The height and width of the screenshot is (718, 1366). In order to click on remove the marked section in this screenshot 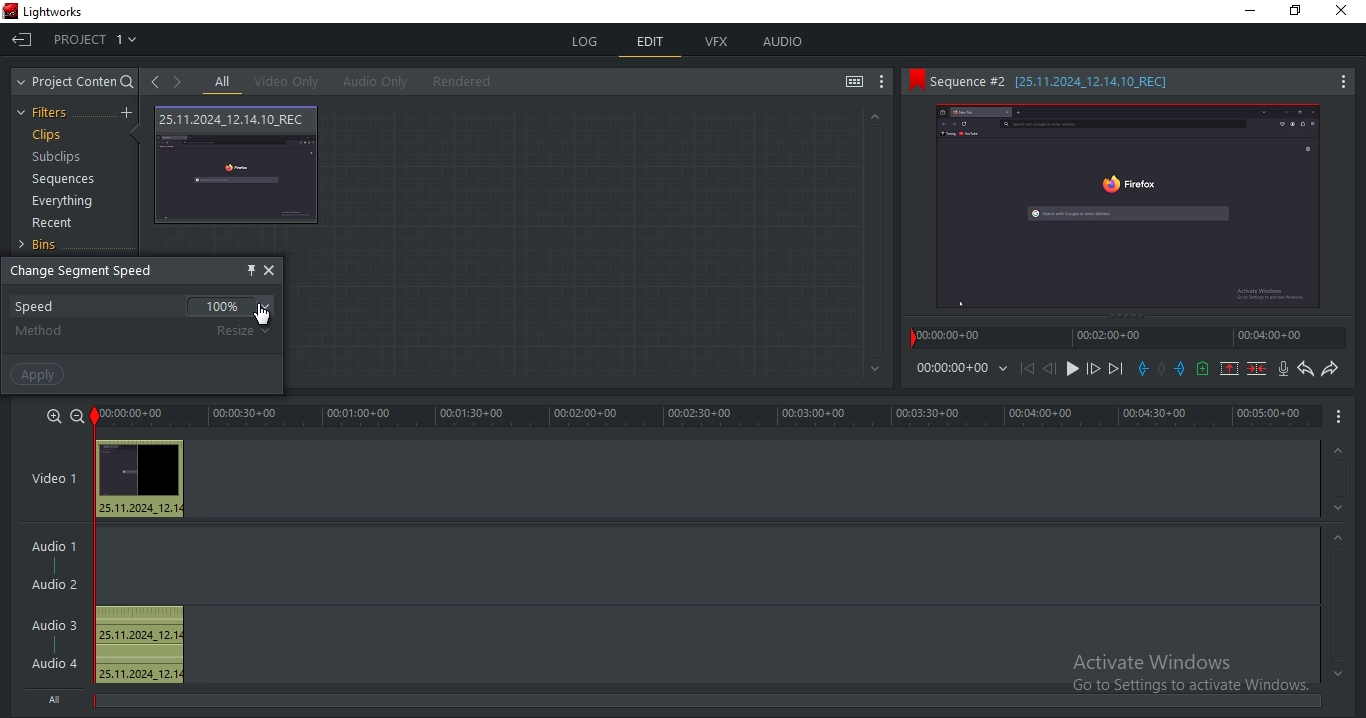, I will do `click(1230, 369)`.